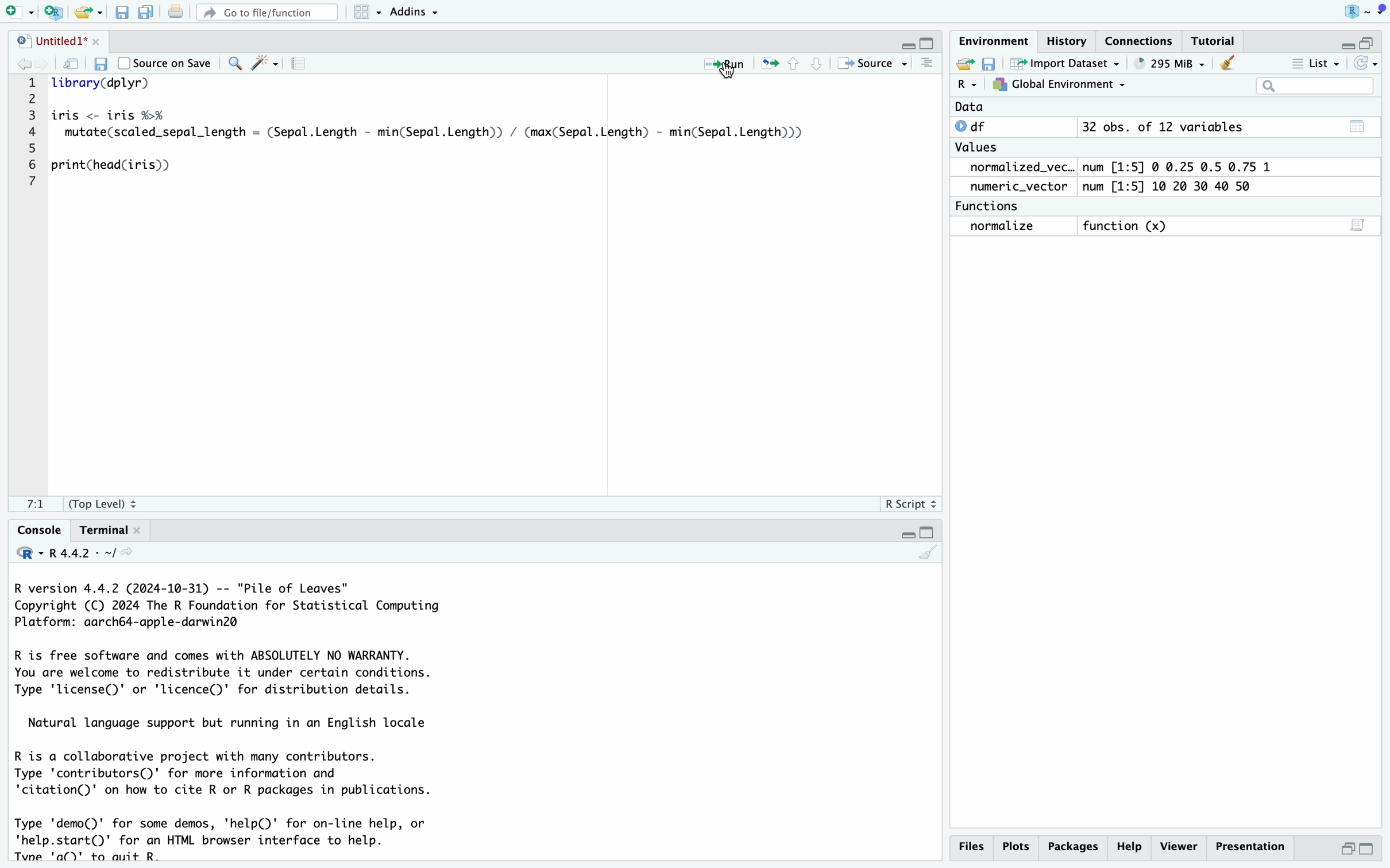 Image resolution: width=1390 pixels, height=868 pixels. I want to click on Refresh, so click(1367, 63).